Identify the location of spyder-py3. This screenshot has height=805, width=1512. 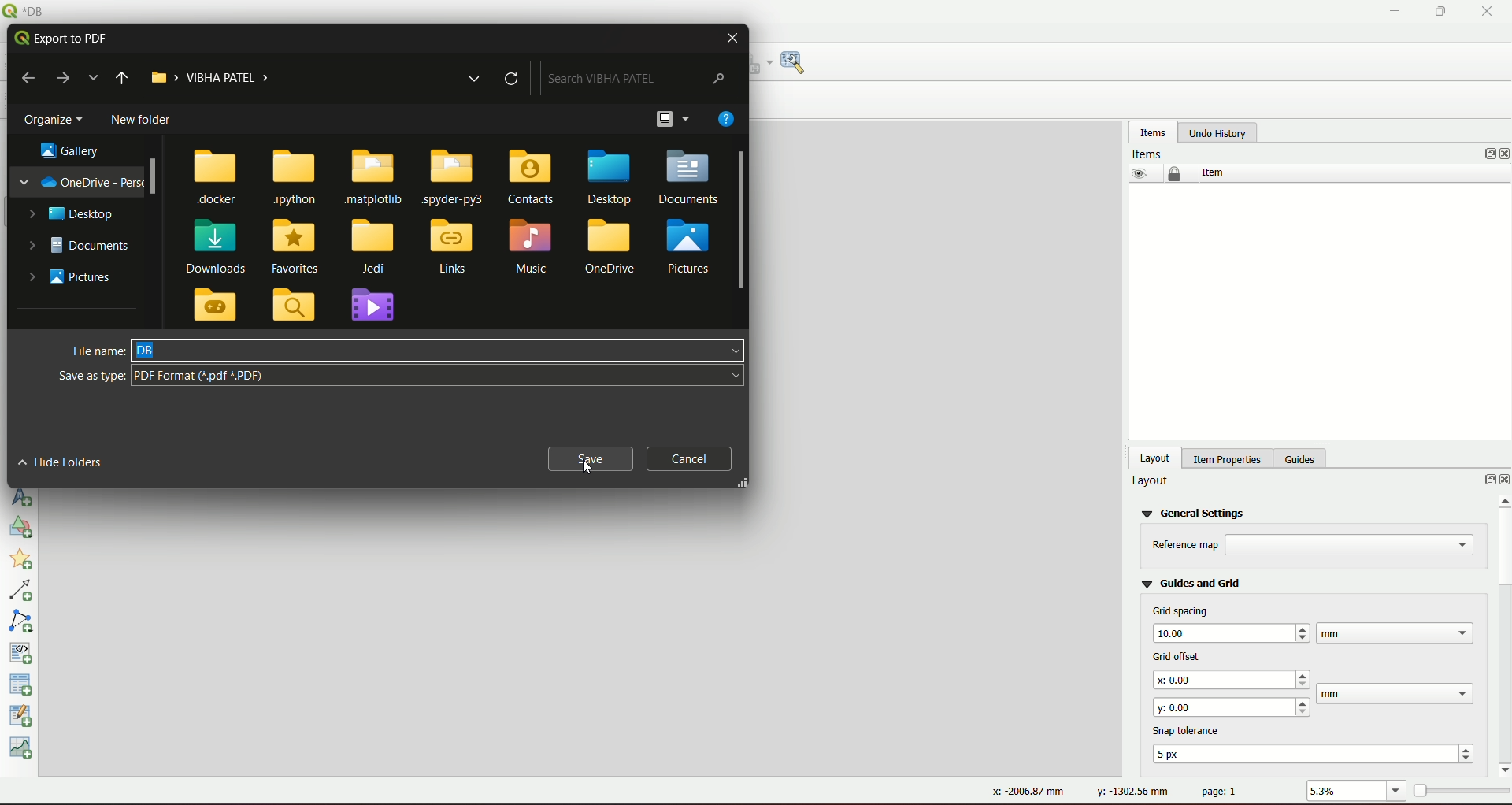
(455, 178).